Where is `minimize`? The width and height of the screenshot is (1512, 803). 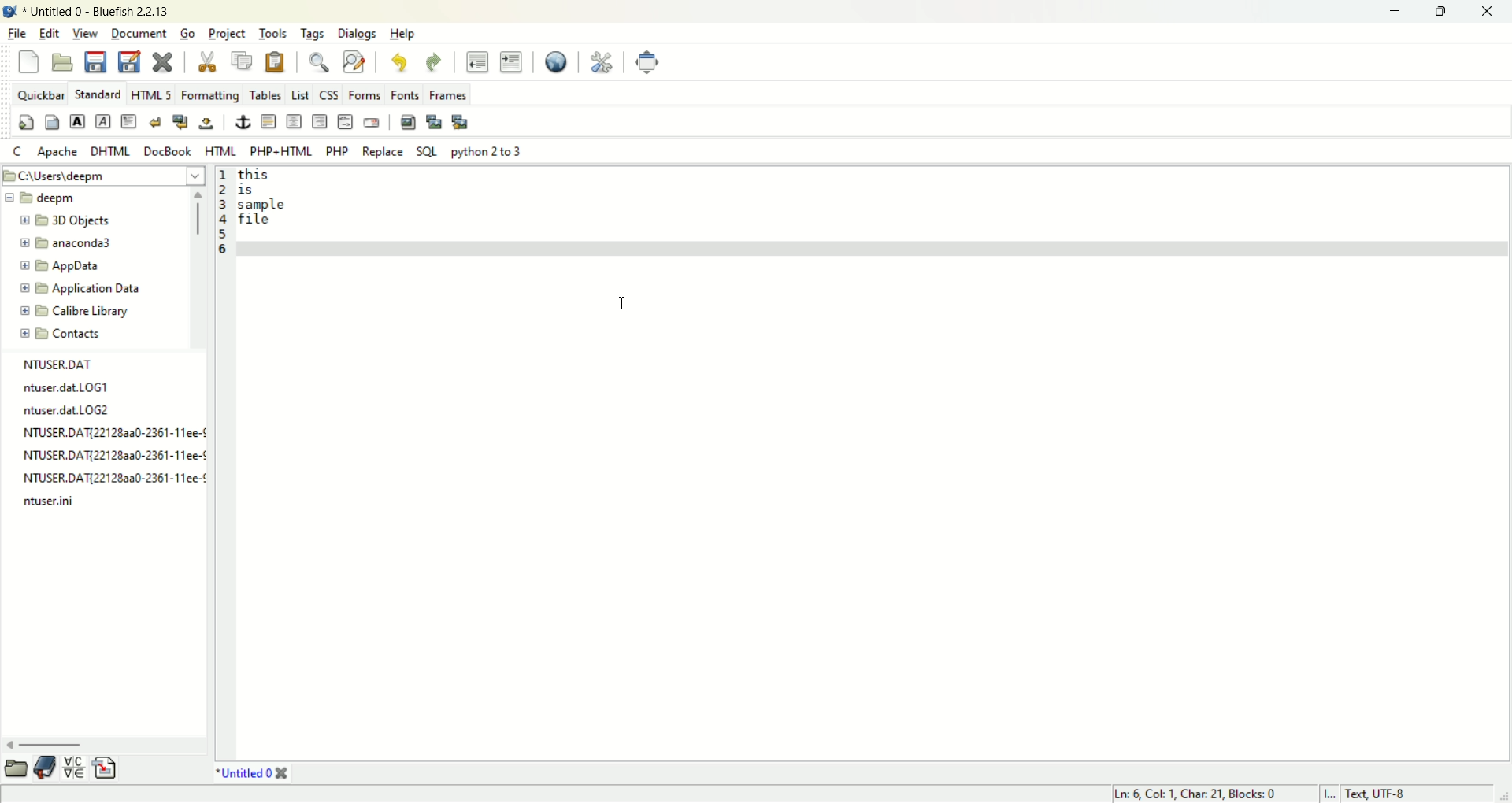 minimize is located at coordinates (1400, 12).